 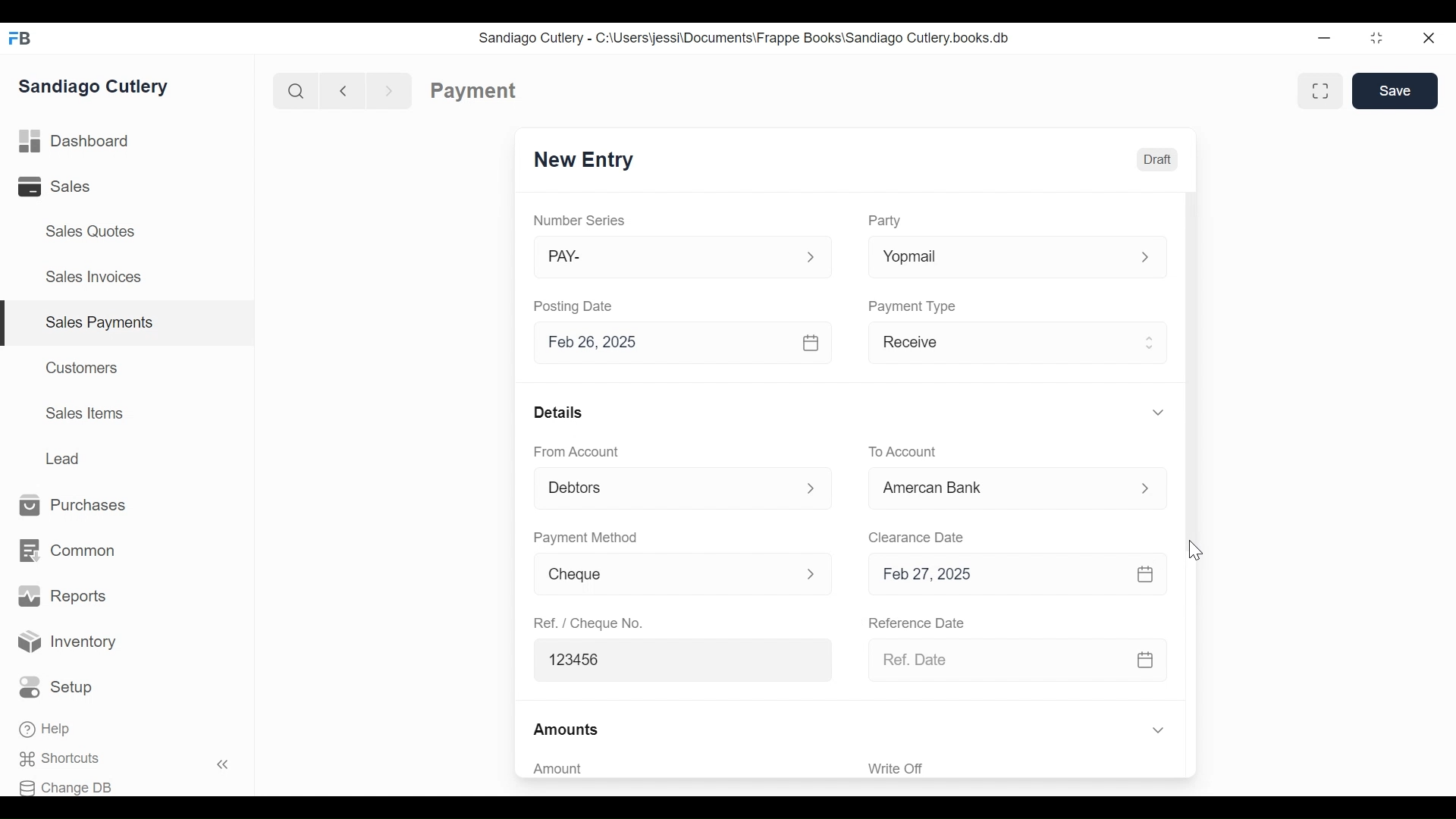 What do you see at coordinates (69, 759) in the screenshot?
I see `Shortcuts` at bounding box center [69, 759].